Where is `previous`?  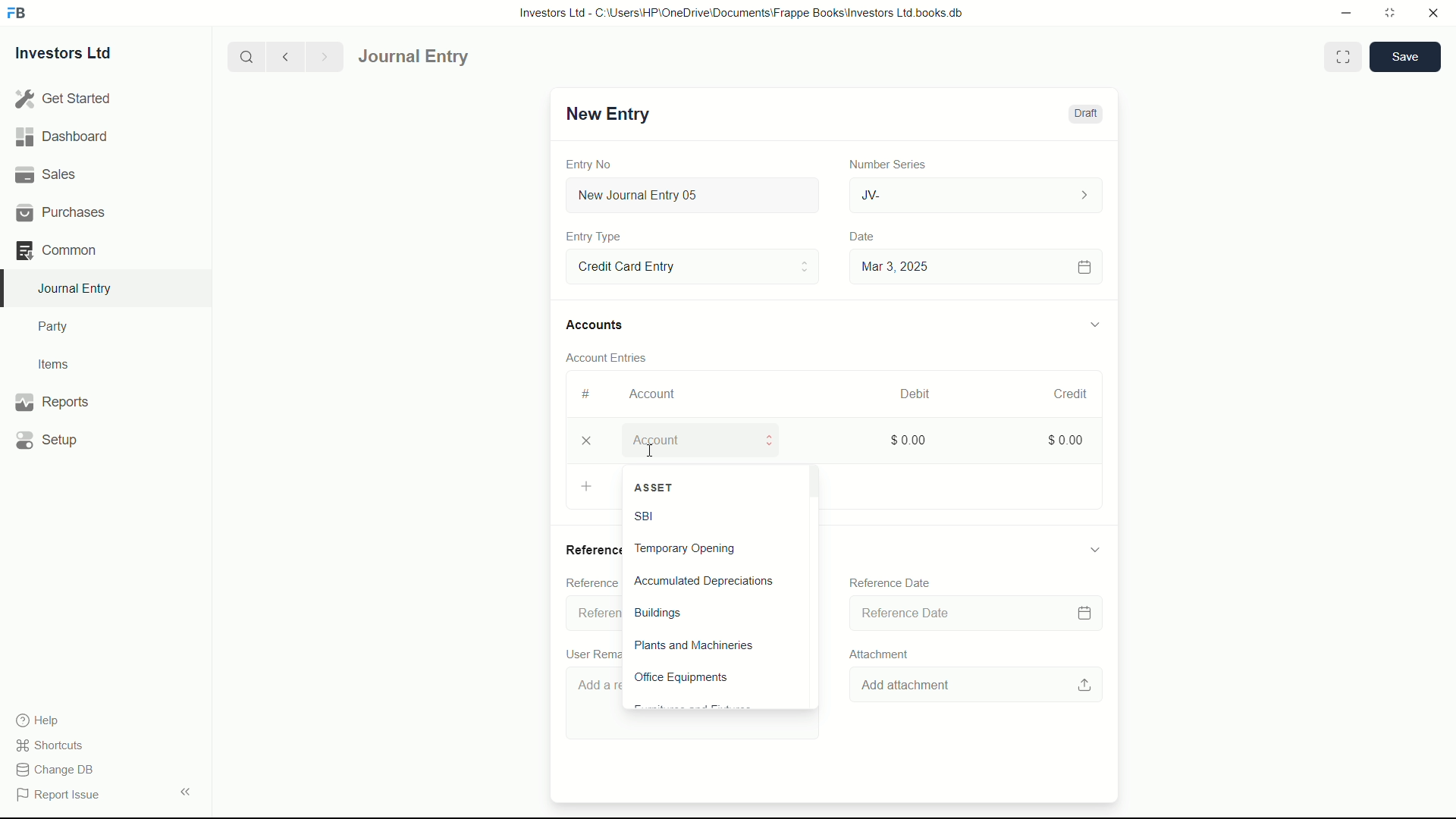 previous is located at coordinates (284, 56).